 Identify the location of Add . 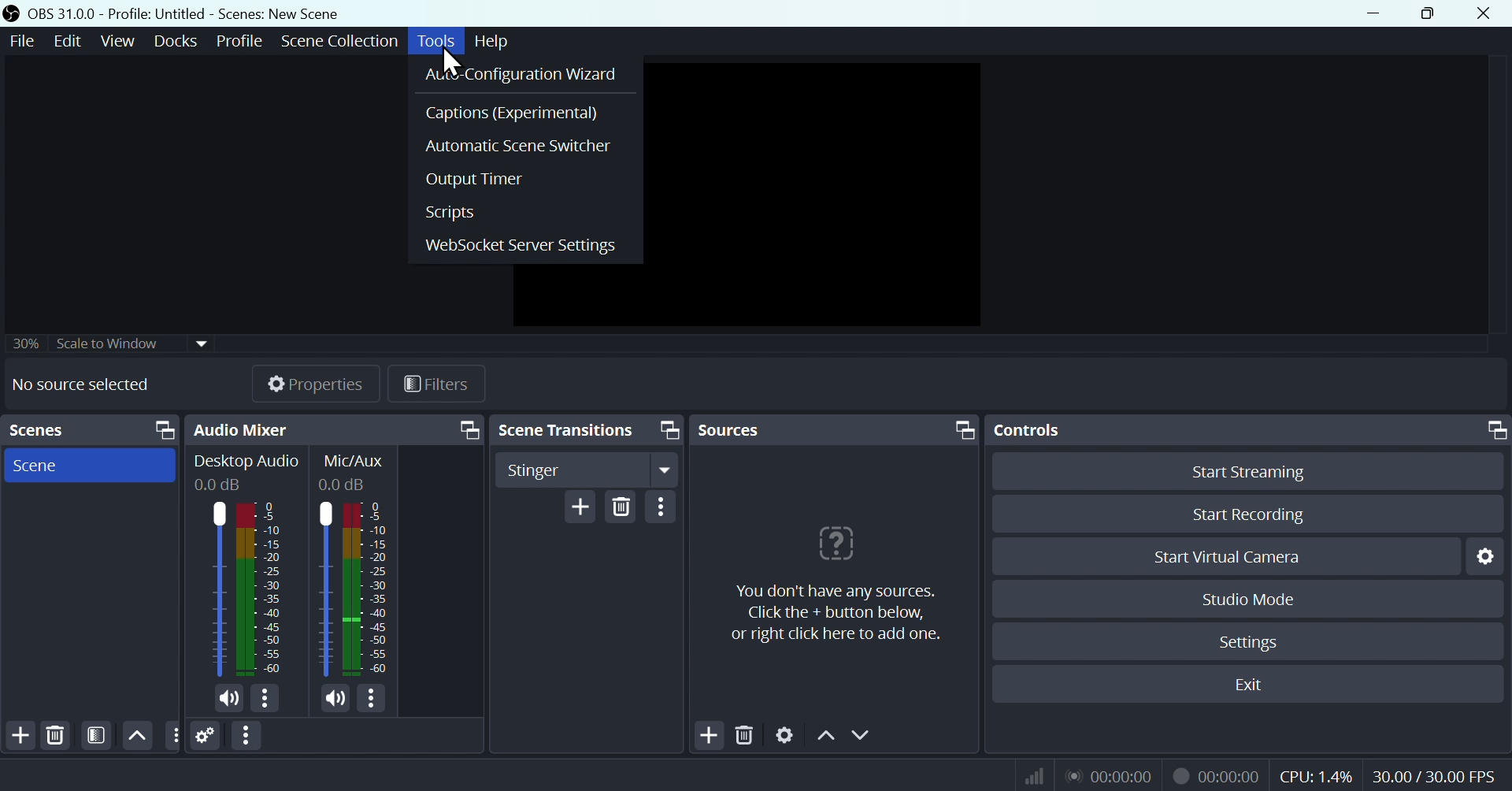
(580, 506).